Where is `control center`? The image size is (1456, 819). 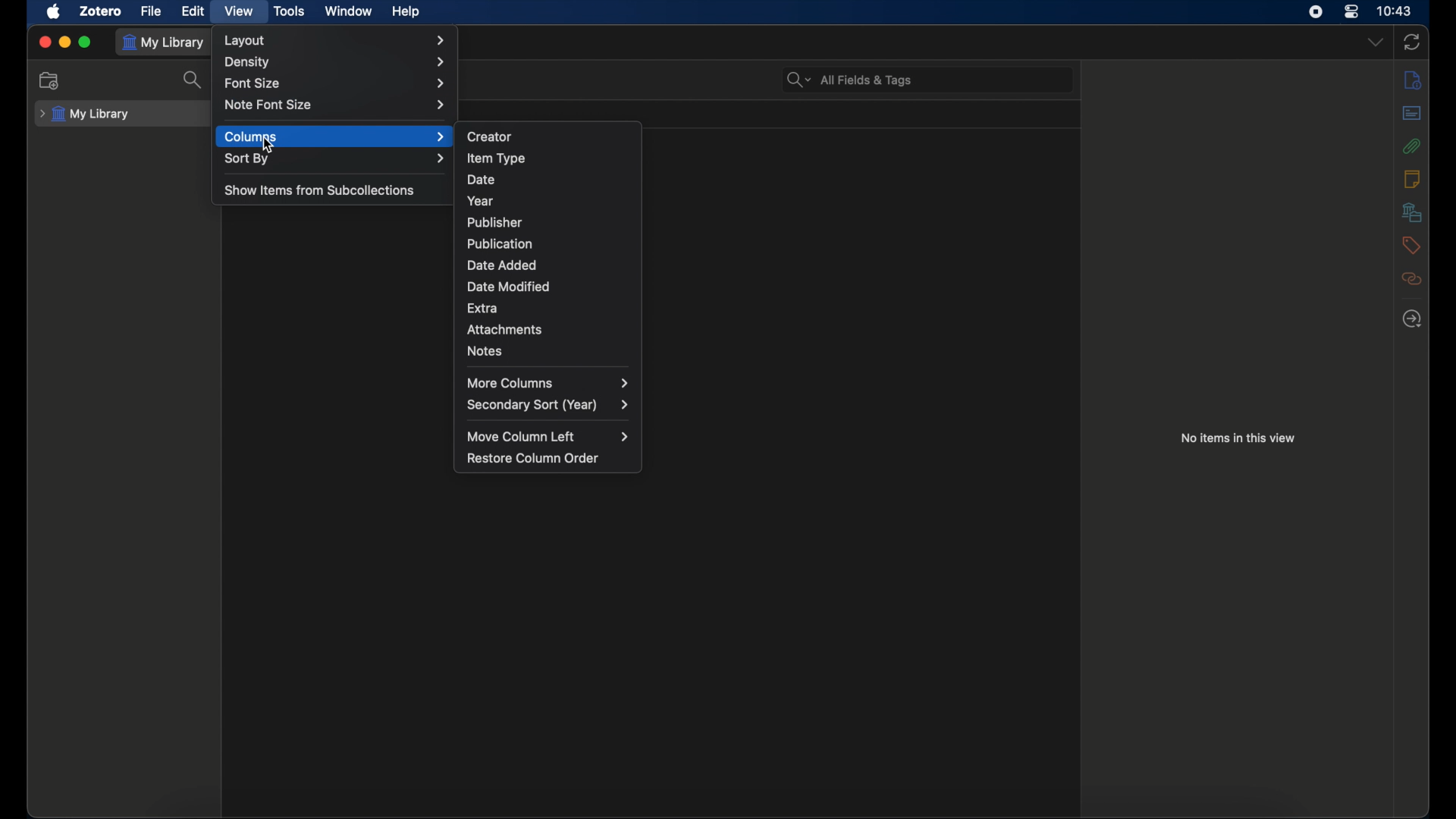
control center is located at coordinates (1351, 12).